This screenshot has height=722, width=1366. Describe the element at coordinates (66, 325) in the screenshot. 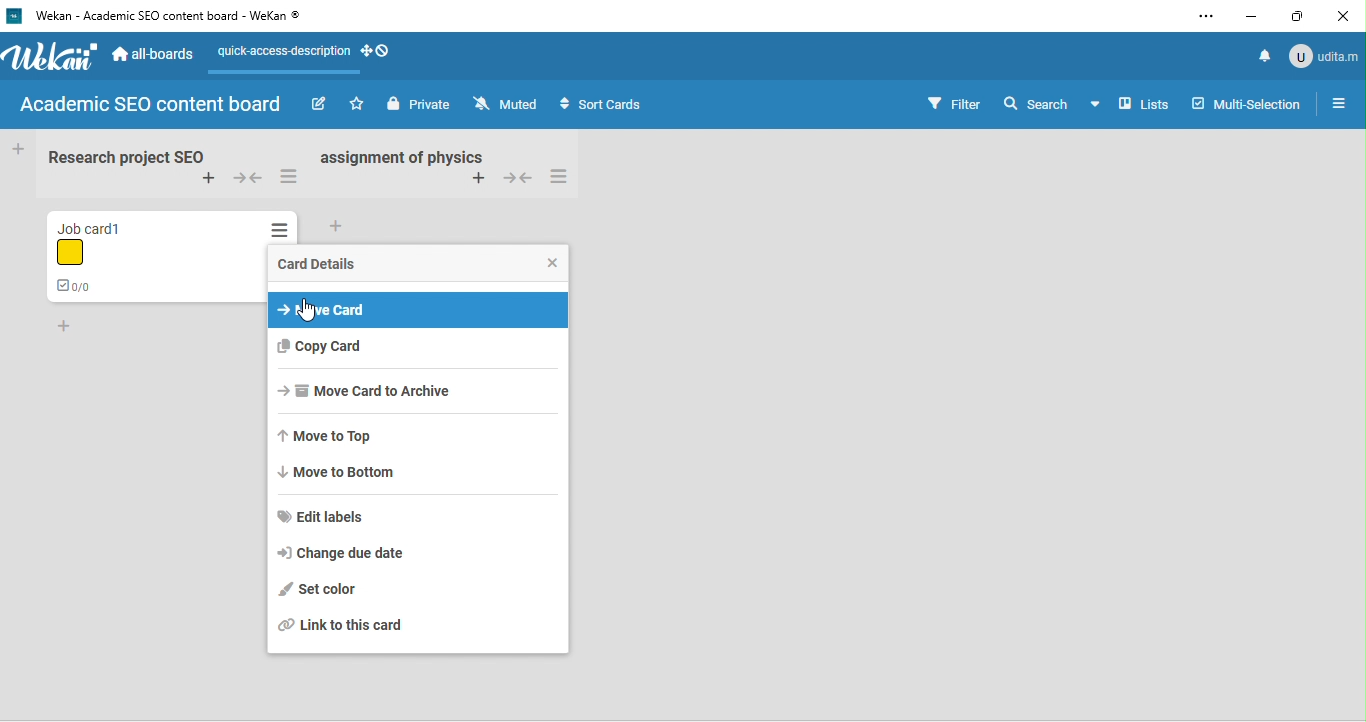

I see `add card` at that location.